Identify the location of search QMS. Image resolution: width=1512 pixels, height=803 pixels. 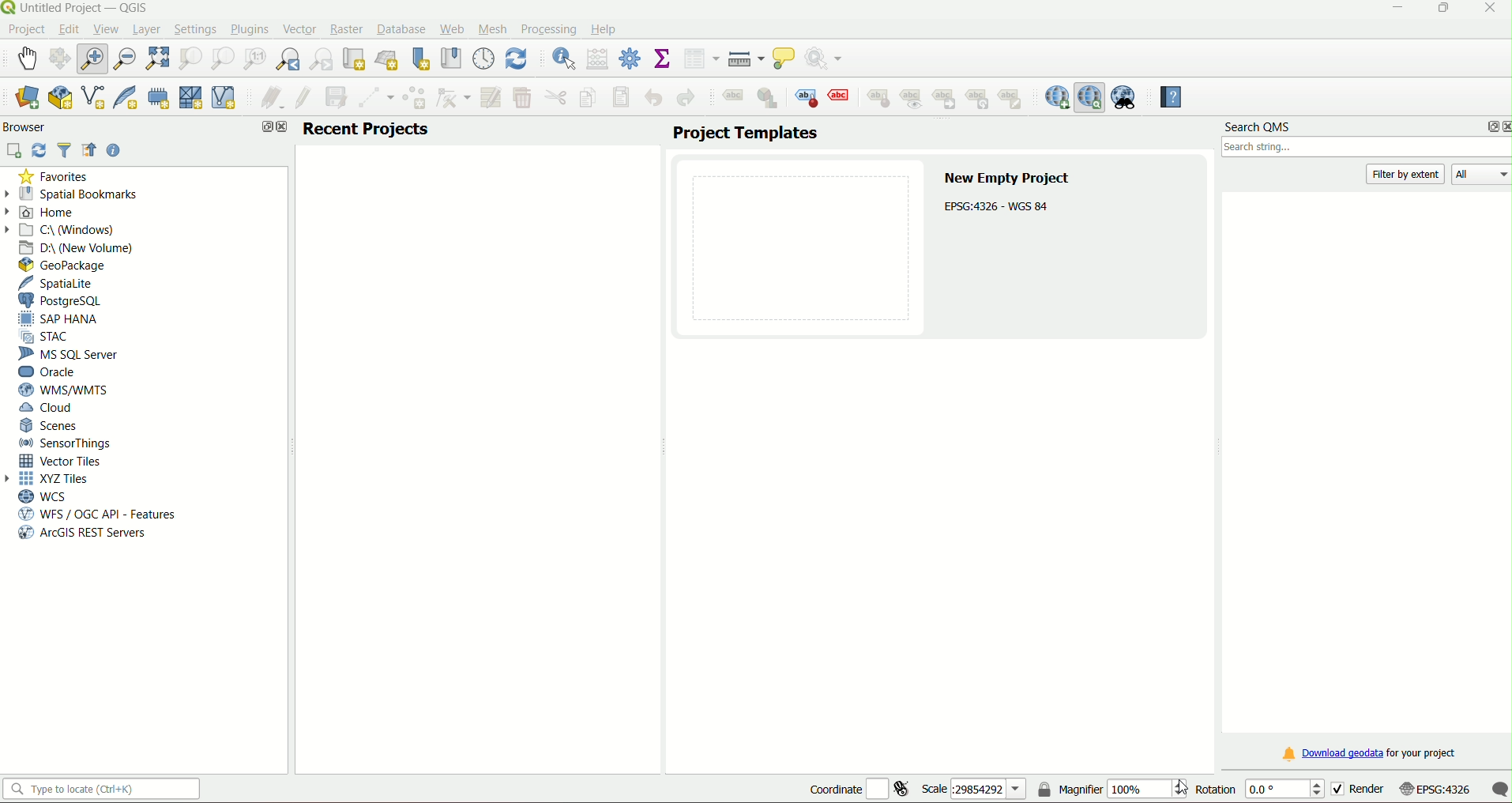
(1090, 97).